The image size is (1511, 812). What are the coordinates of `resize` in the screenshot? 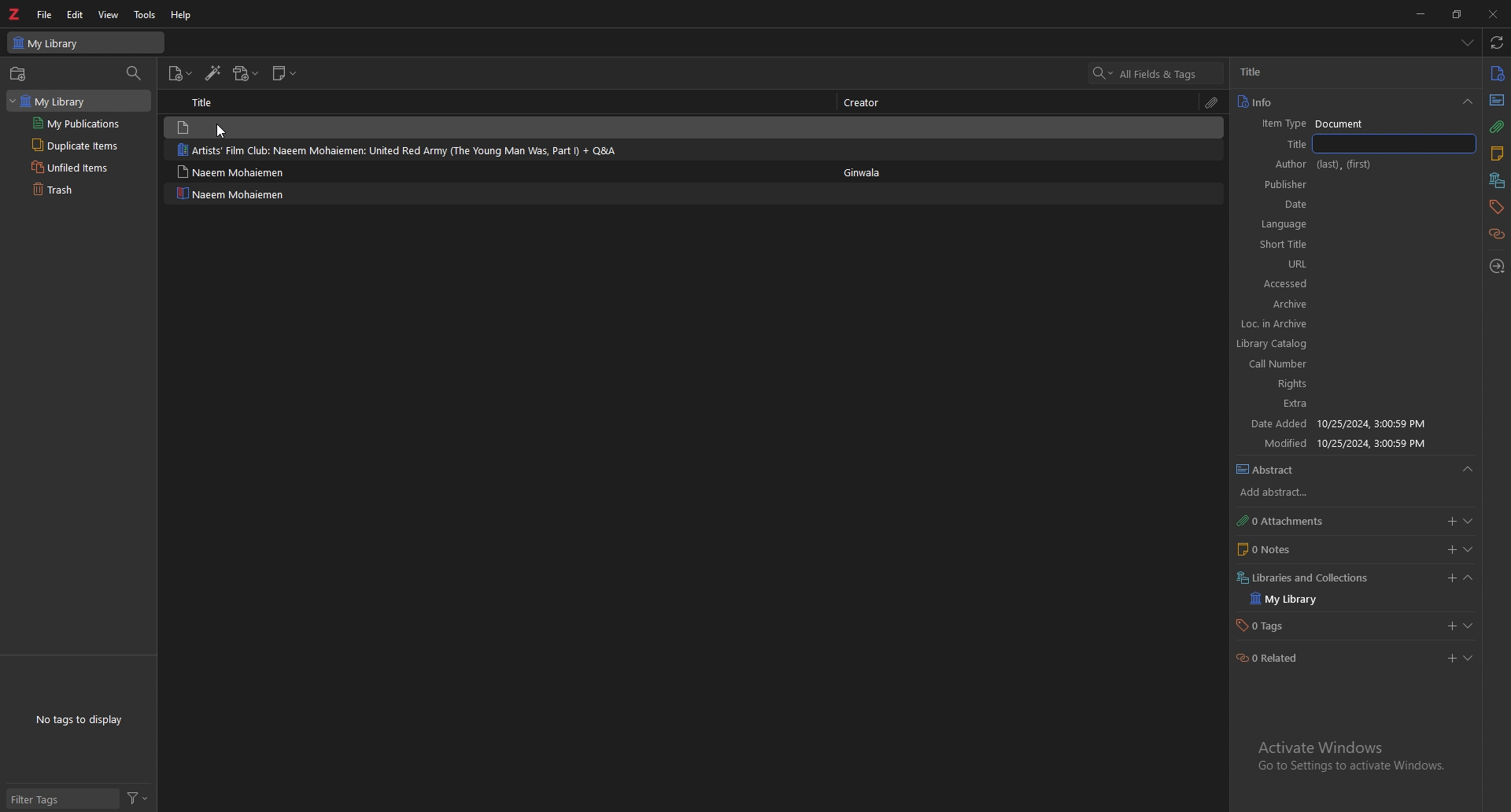 It's located at (1459, 13).